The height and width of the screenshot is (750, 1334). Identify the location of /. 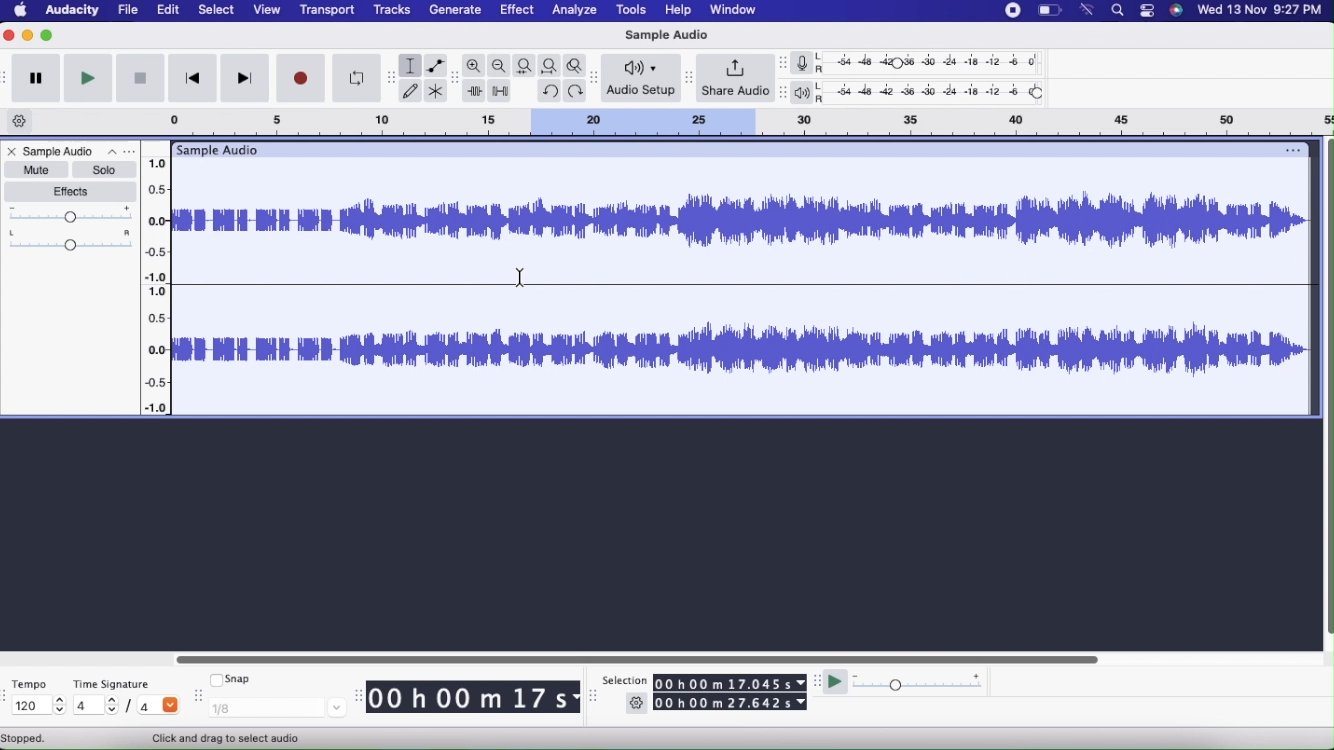
(132, 709).